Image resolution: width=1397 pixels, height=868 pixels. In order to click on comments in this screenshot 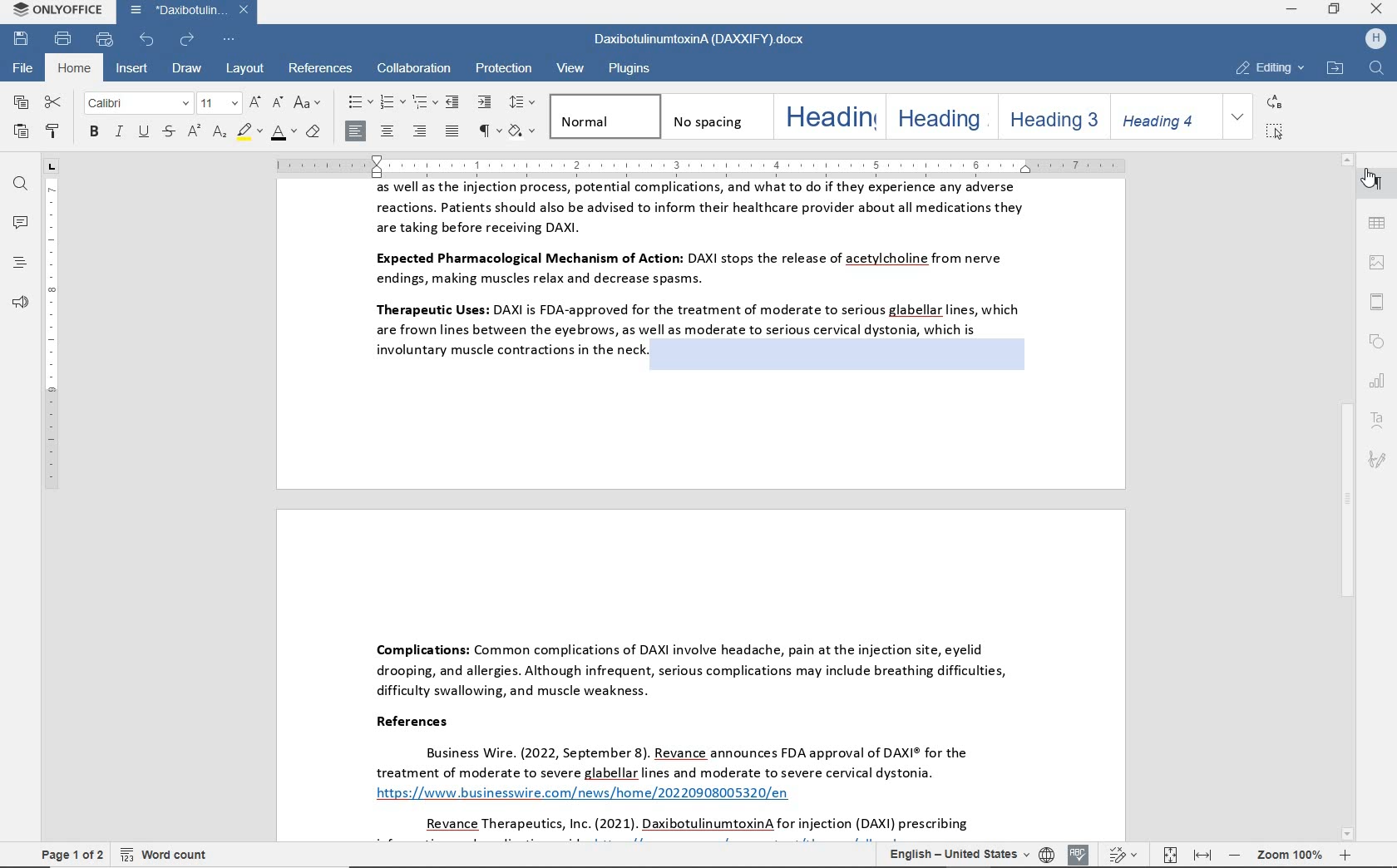, I will do `click(19, 223)`.